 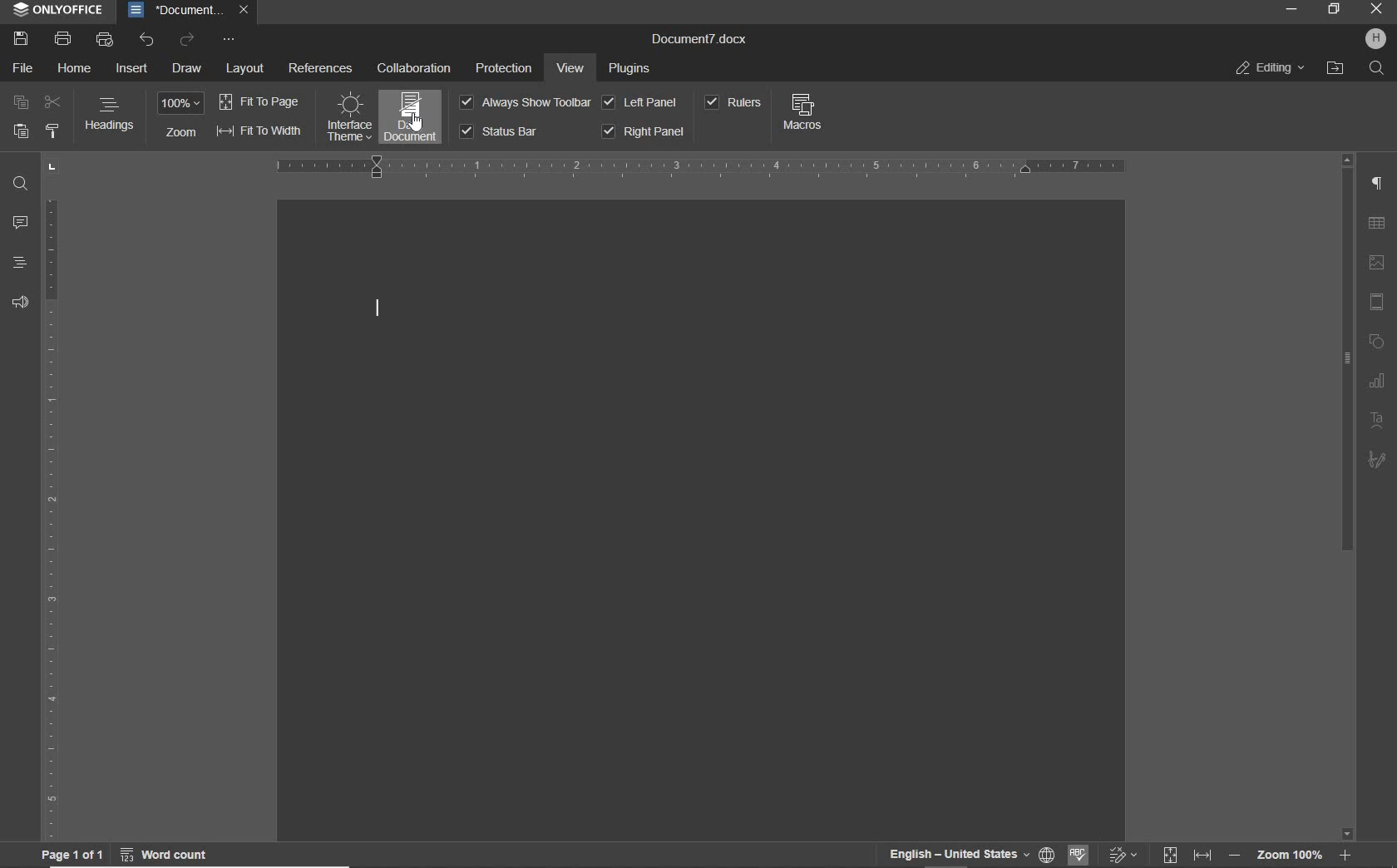 I want to click on WORD COUNT, so click(x=166, y=852).